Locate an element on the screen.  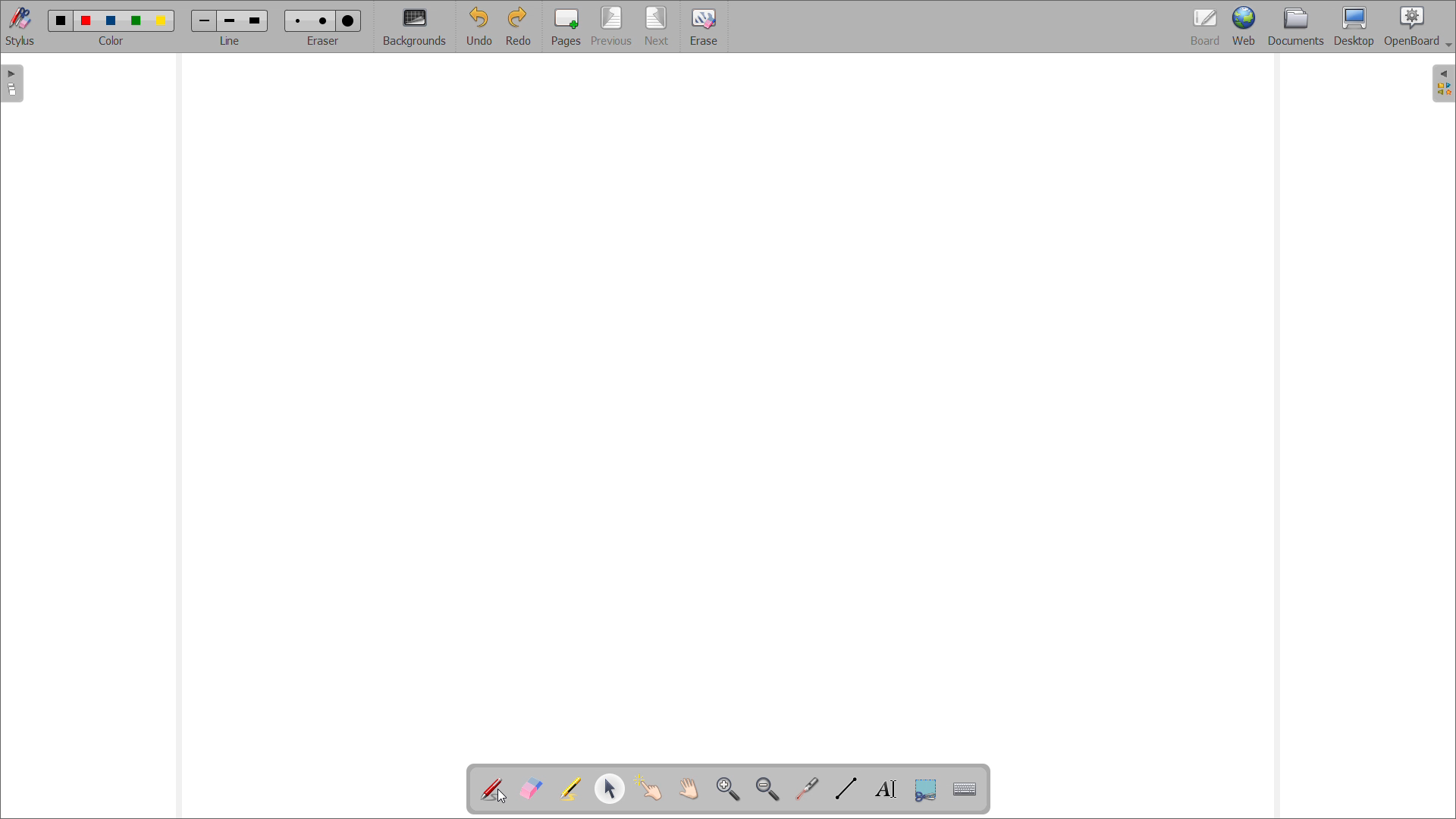
highlights is located at coordinates (571, 789).